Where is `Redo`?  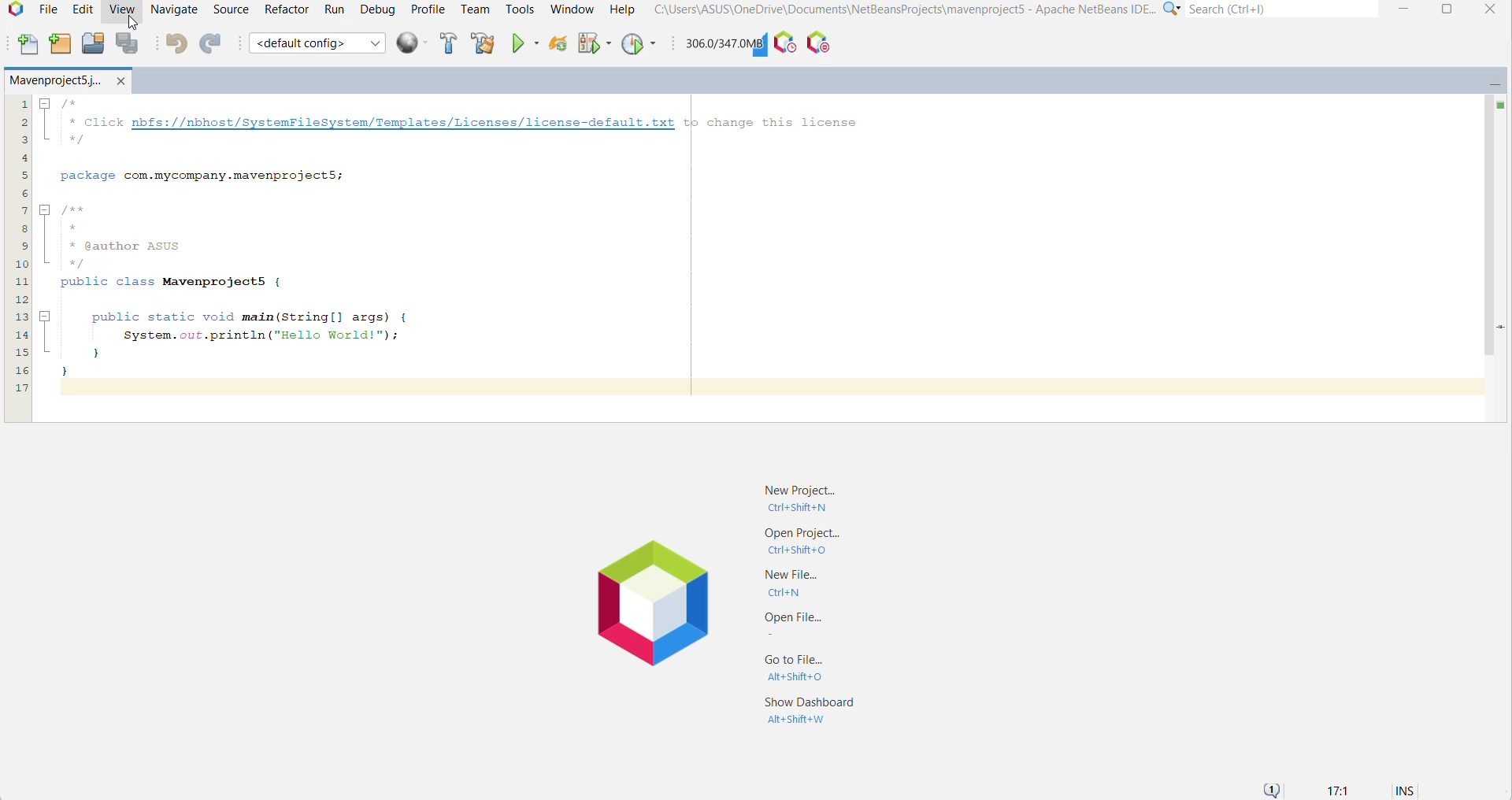
Redo is located at coordinates (214, 45).